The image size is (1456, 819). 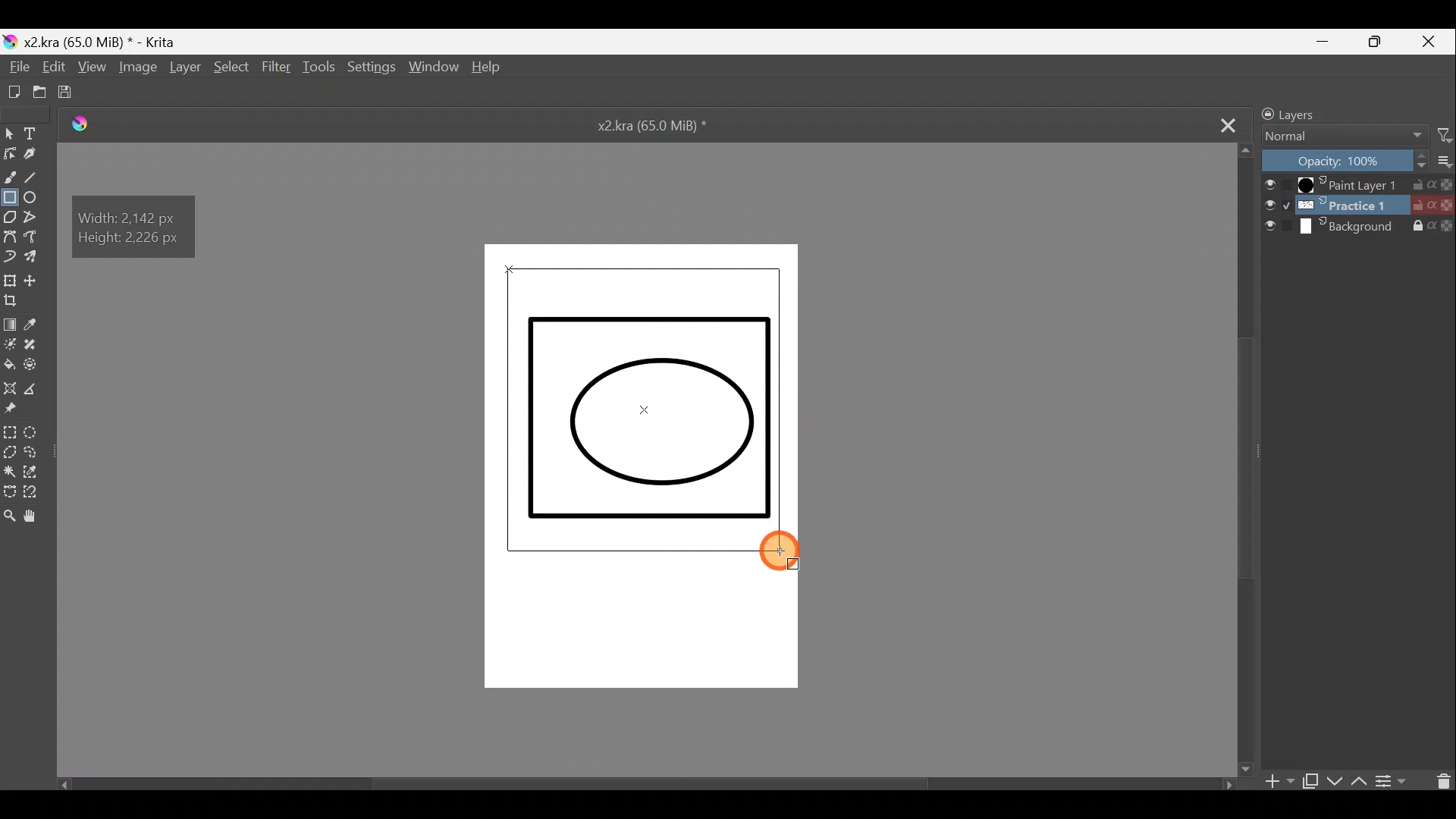 What do you see at coordinates (651, 128) in the screenshot?
I see `x2.kra (65.0 MiB) *` at bounding box center [651, 128].